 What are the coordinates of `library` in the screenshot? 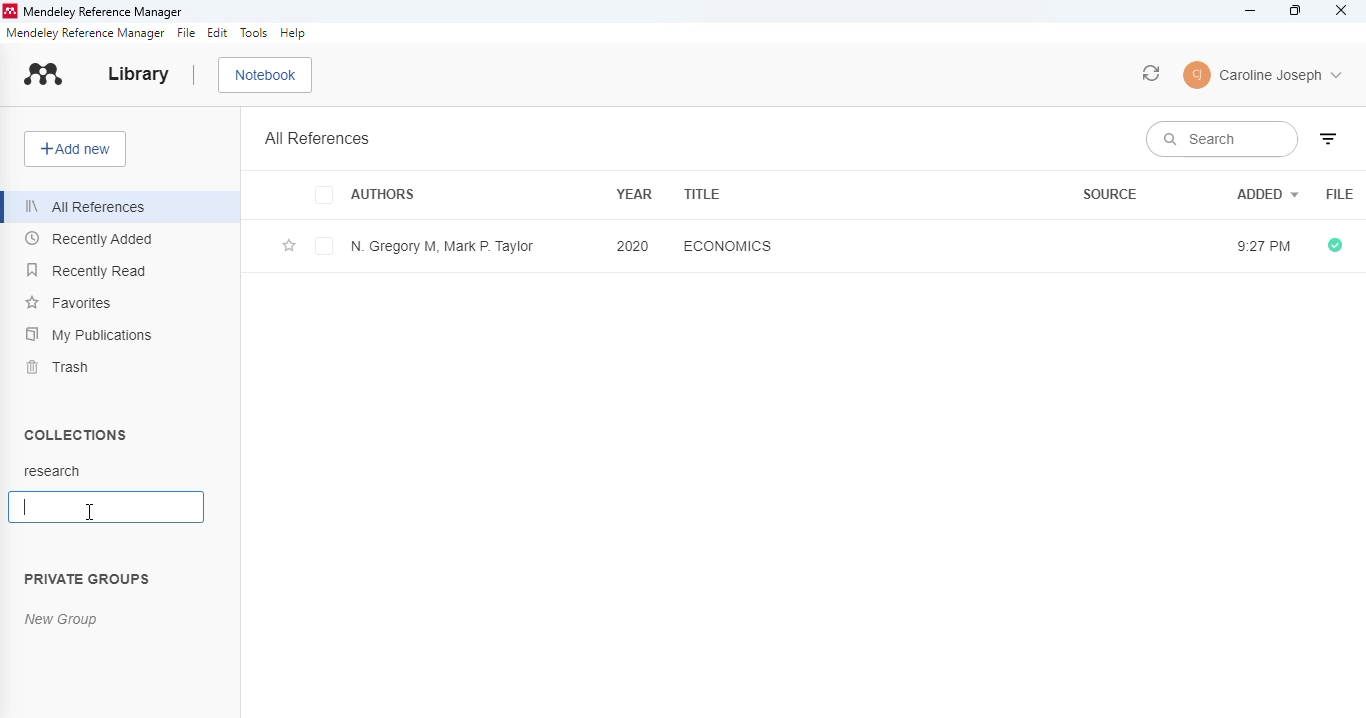 It's located at (139, 74).